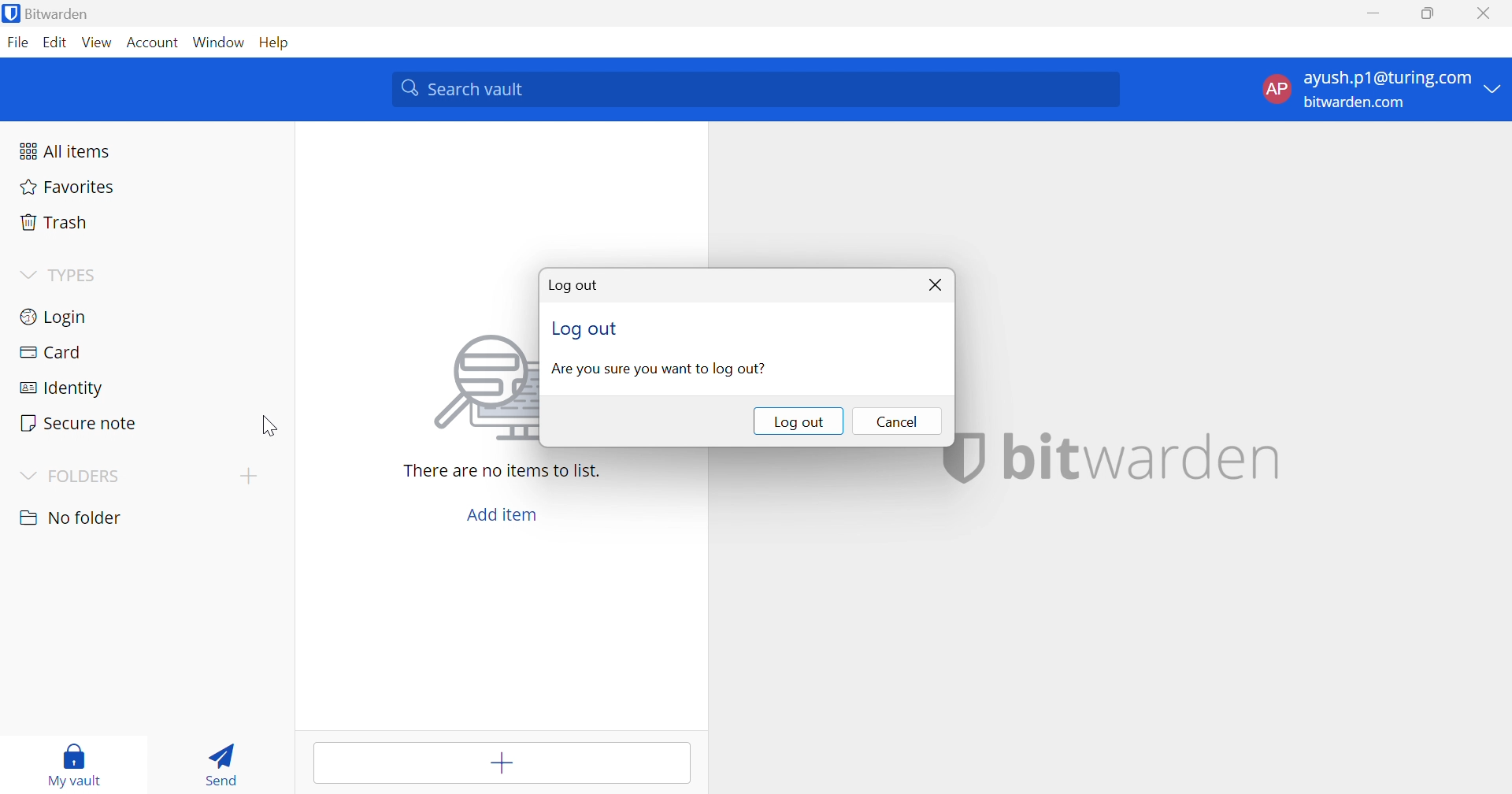 The image size is (1512, 794). Describe the element at coordinates (1382, 88) in the screenshot. I see `account options` at that location.